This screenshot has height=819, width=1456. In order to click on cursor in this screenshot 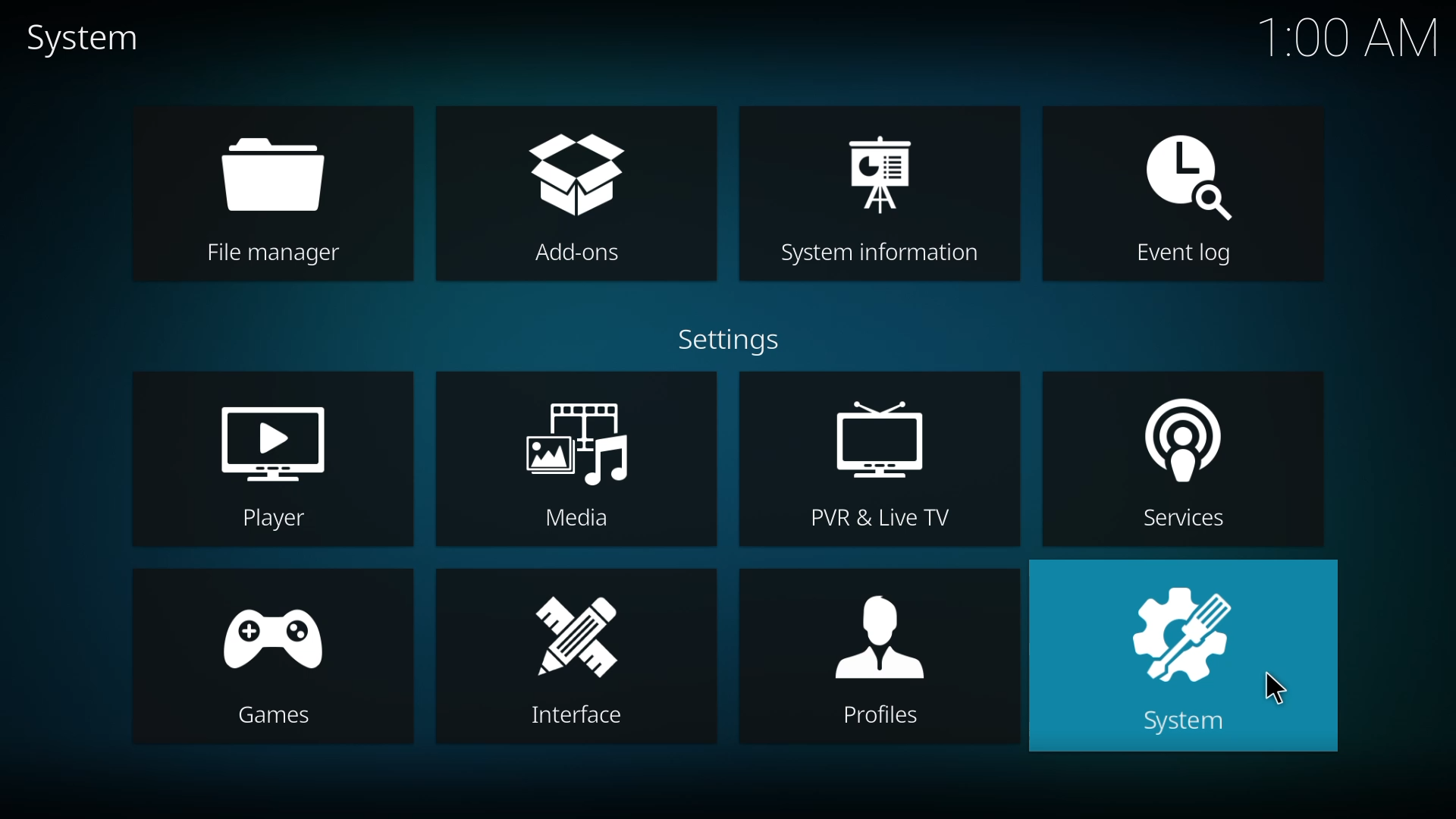, I will do `click(1268, 690)`.